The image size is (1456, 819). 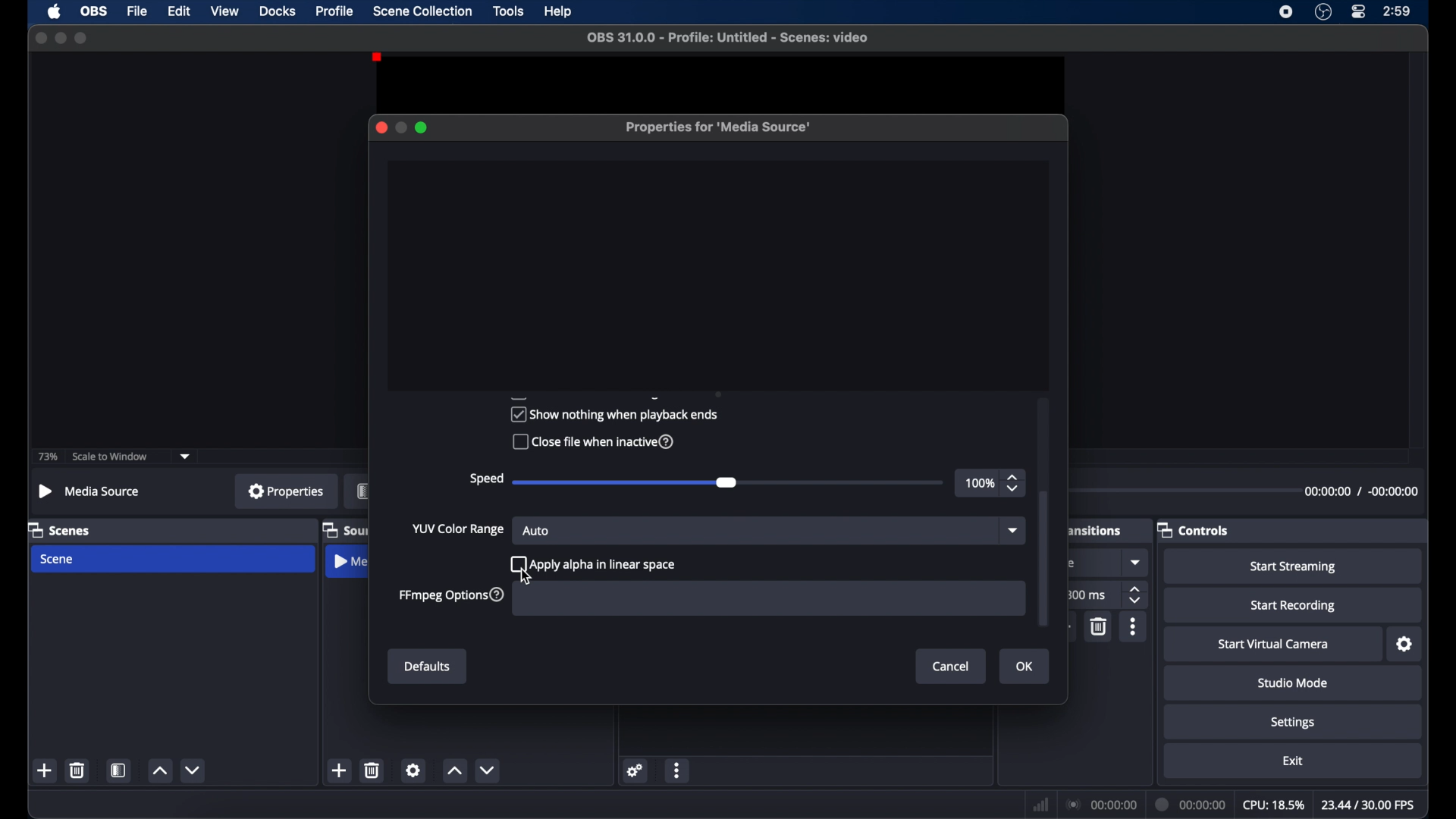 I want to click on show nothing when playback ends, so click(x=613, y=414).